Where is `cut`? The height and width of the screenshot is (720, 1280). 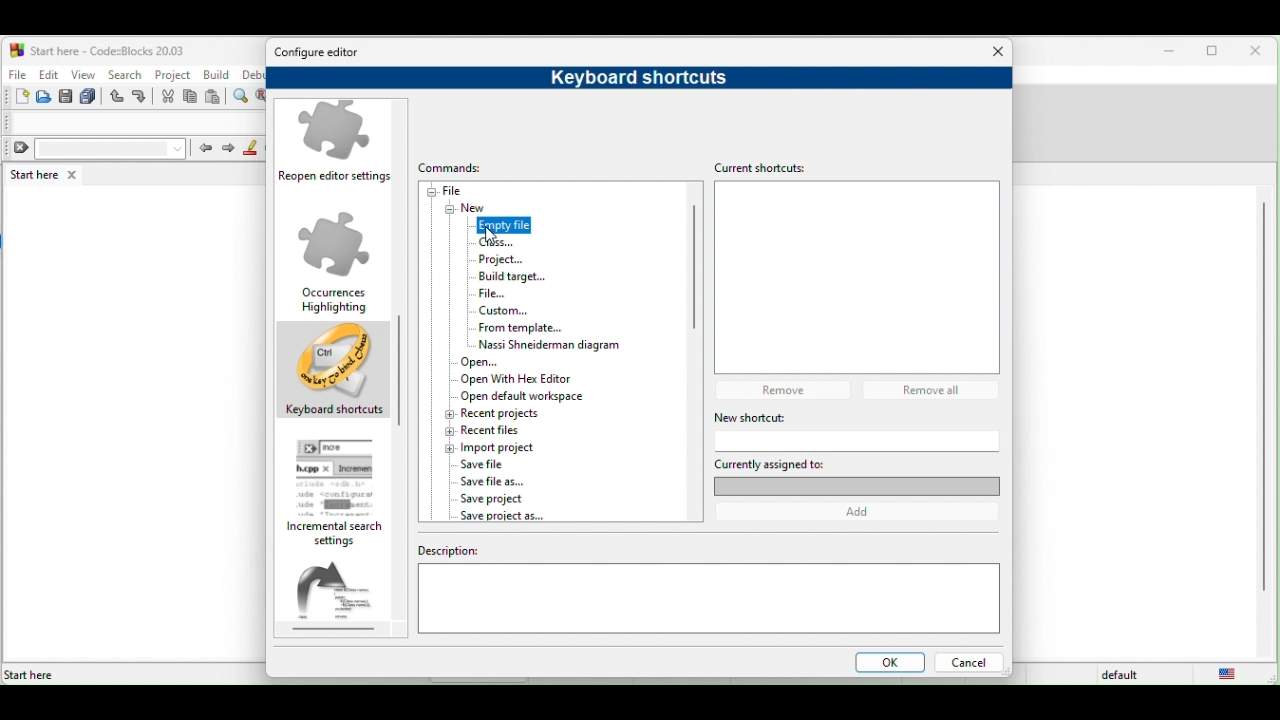 cut is located at coordinates (168, 97).